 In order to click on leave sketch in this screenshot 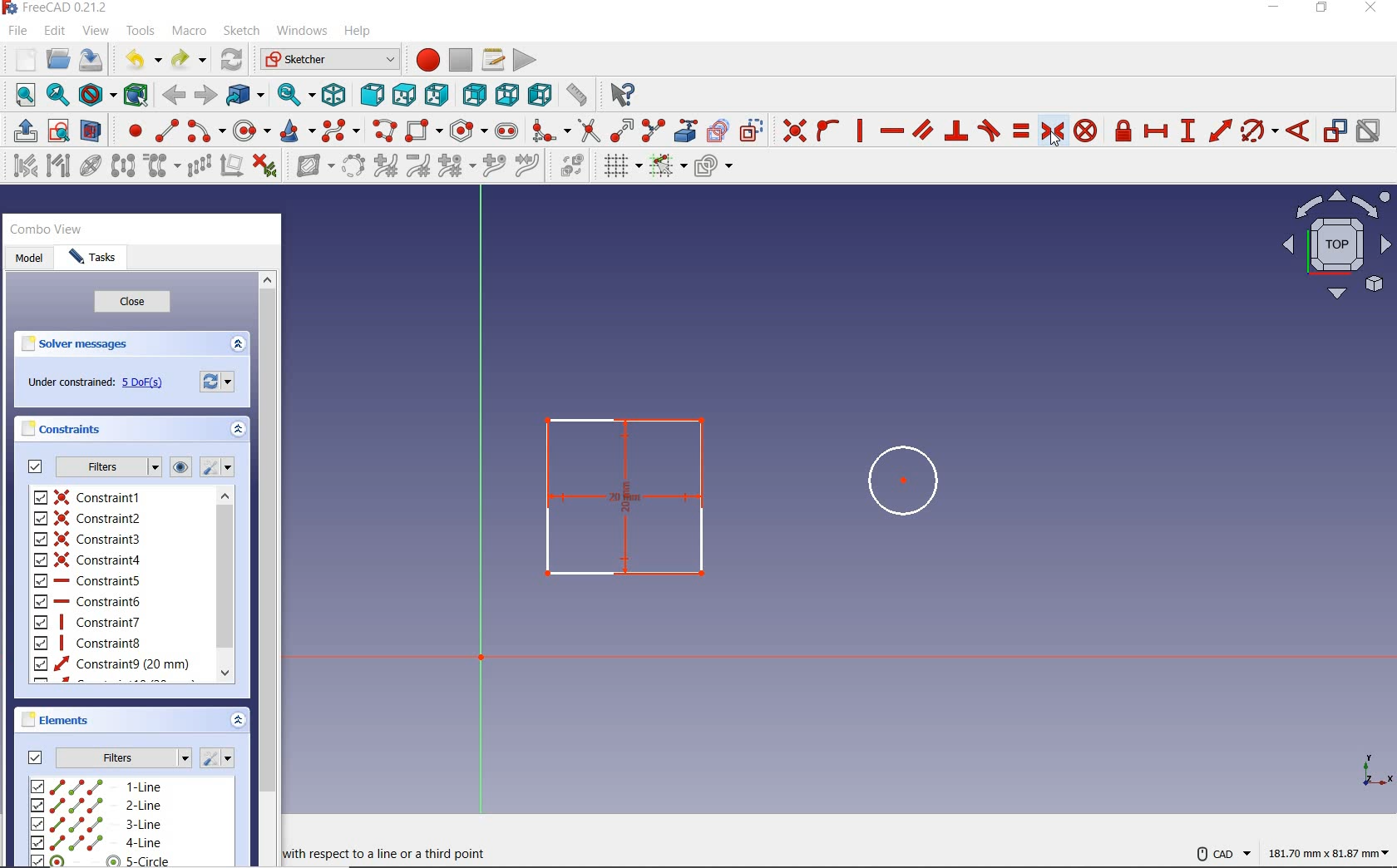, I will do `click(22, 129)`.